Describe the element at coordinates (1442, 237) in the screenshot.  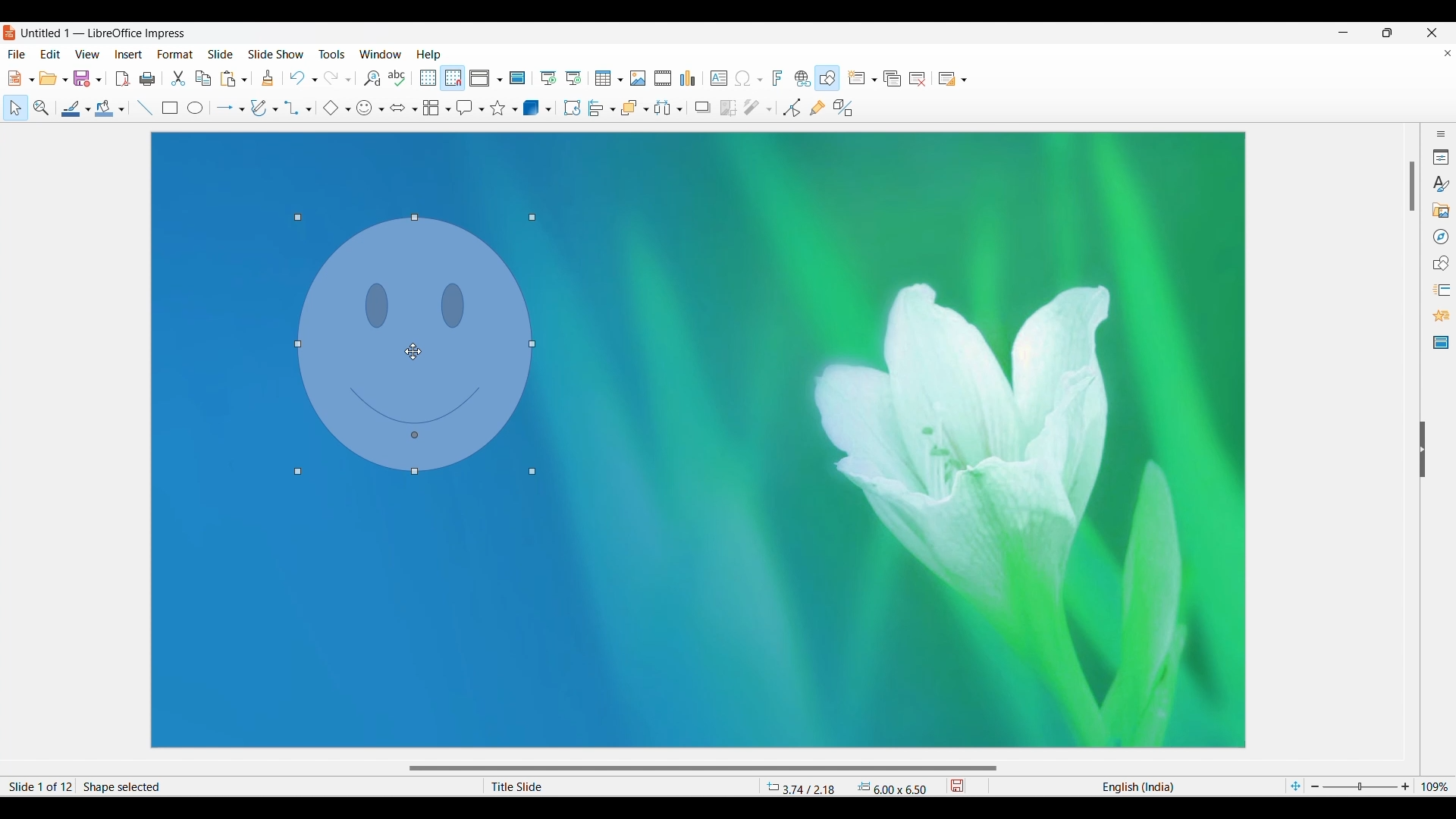
I see `Navigator` at that location.